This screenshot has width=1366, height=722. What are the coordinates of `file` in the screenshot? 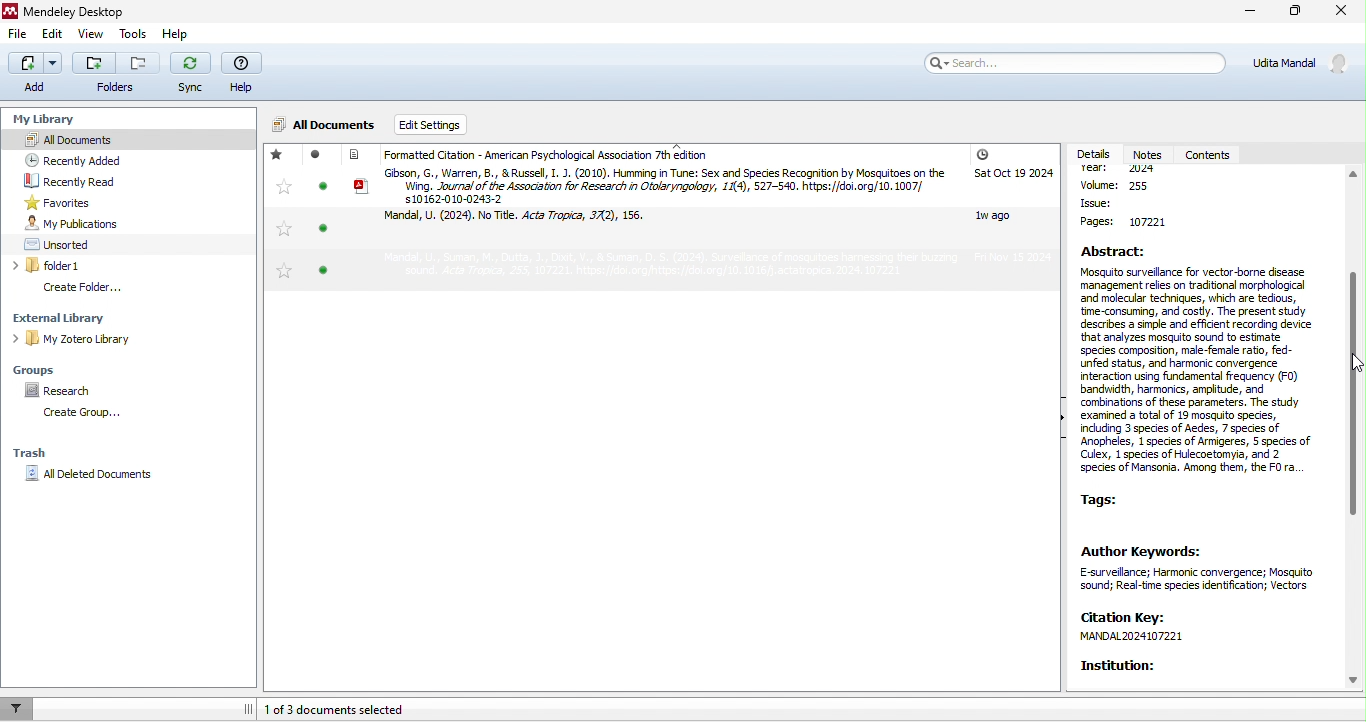 It's located at (20, 37).